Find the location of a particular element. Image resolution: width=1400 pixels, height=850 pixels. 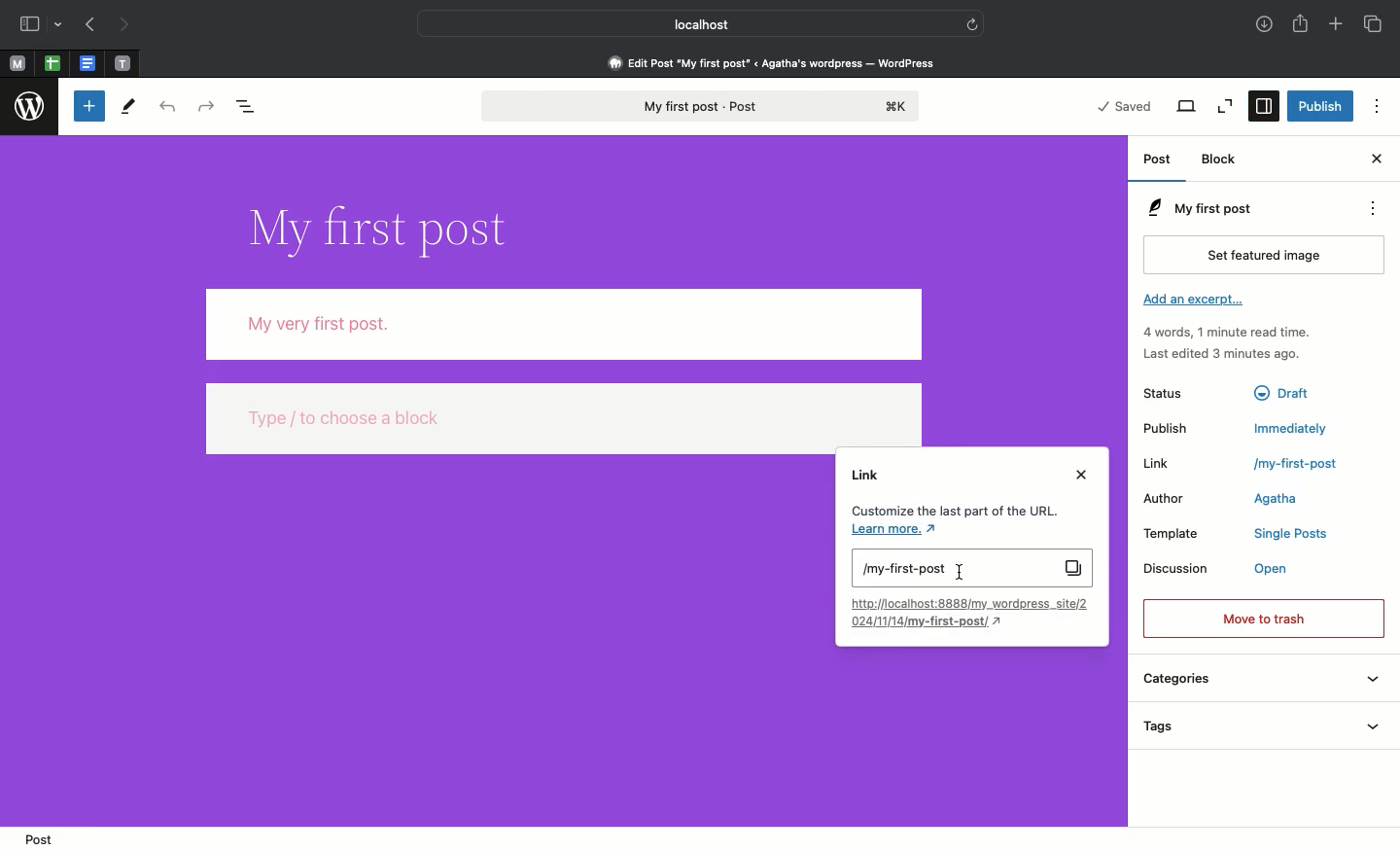

Move to trash is located at coordinates (1264, 620).